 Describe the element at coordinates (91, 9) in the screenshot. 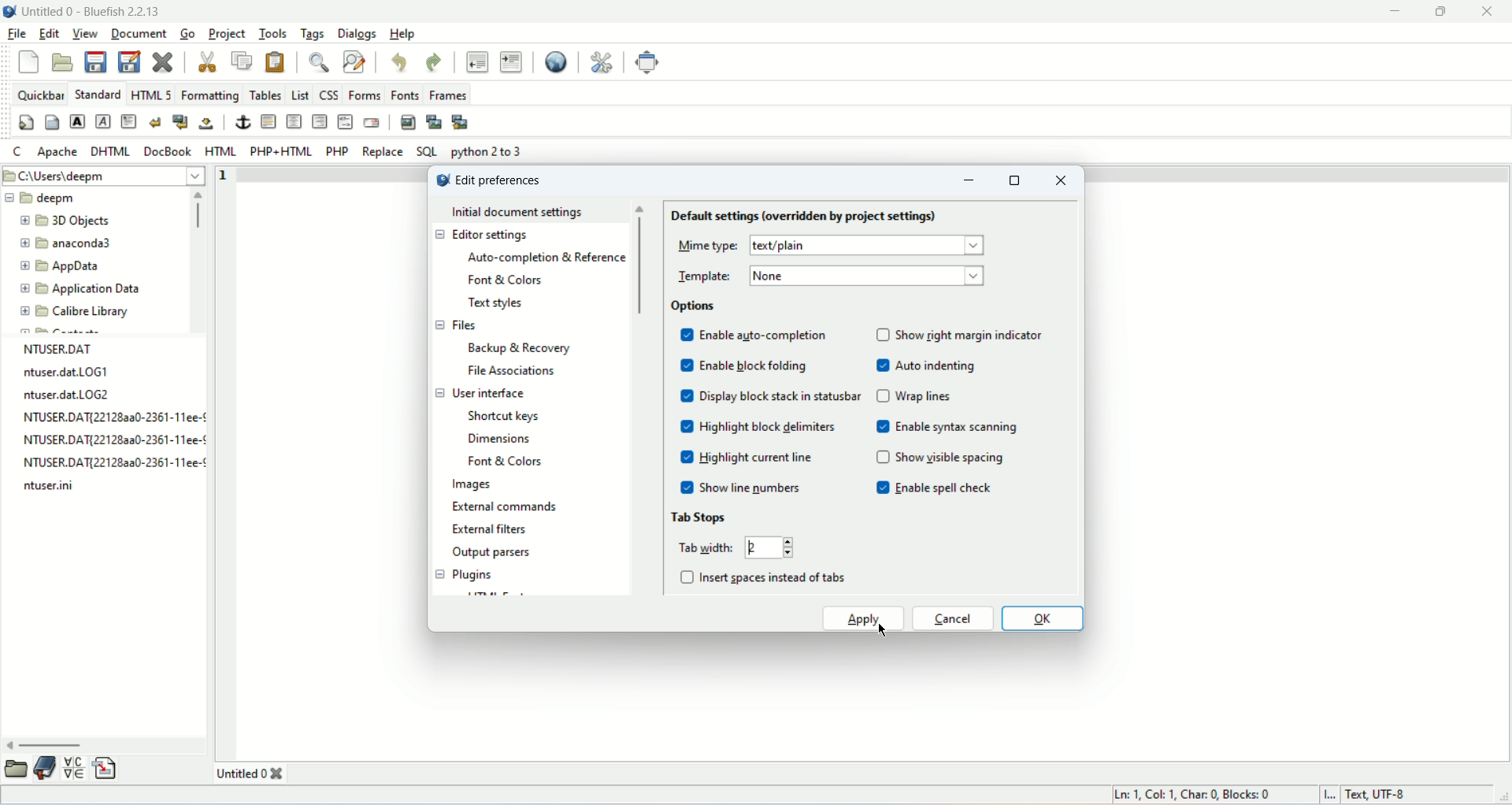

I see `title` at that location.